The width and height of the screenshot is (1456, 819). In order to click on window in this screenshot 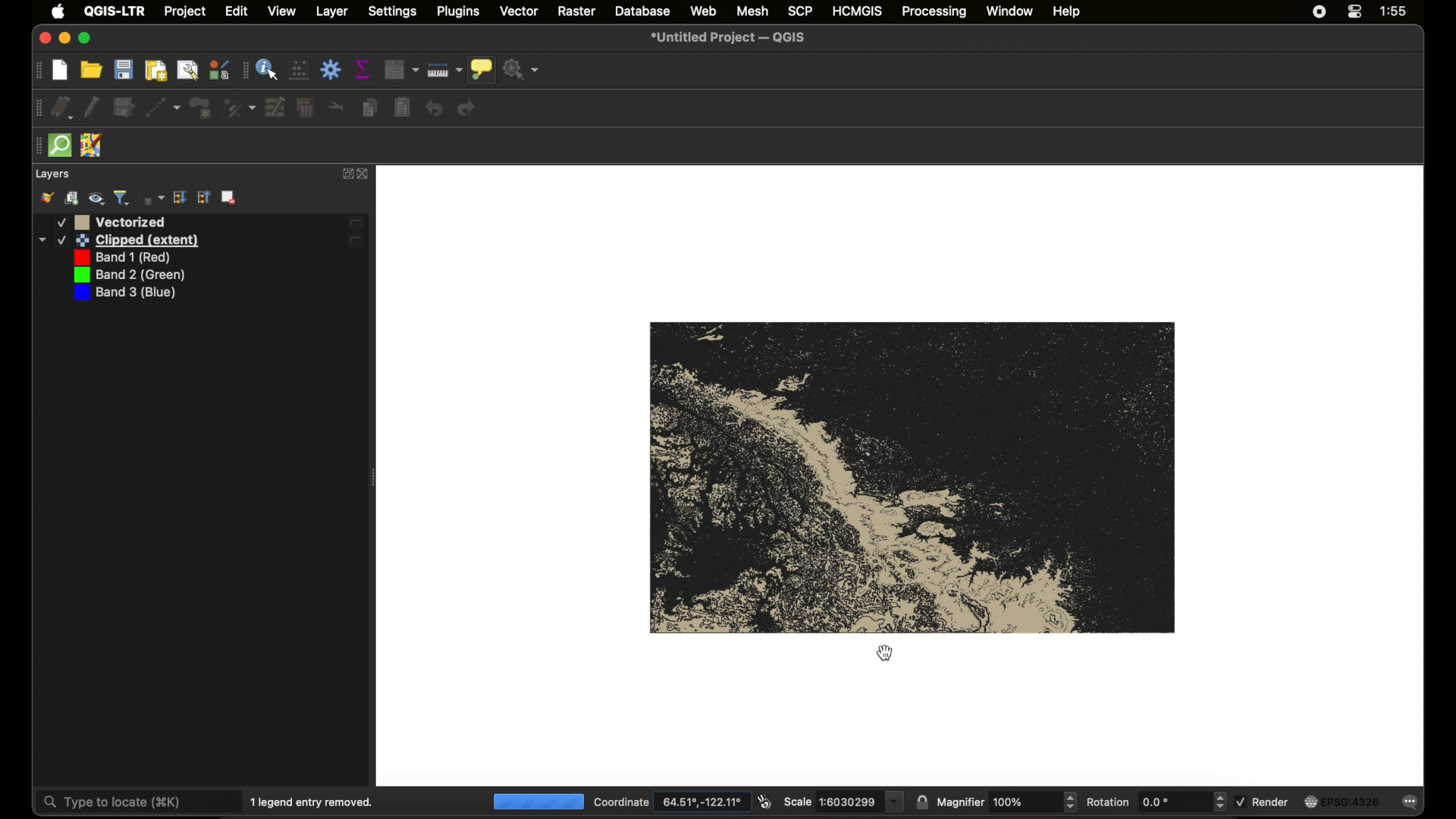, I will do `click(1009, 11)`.